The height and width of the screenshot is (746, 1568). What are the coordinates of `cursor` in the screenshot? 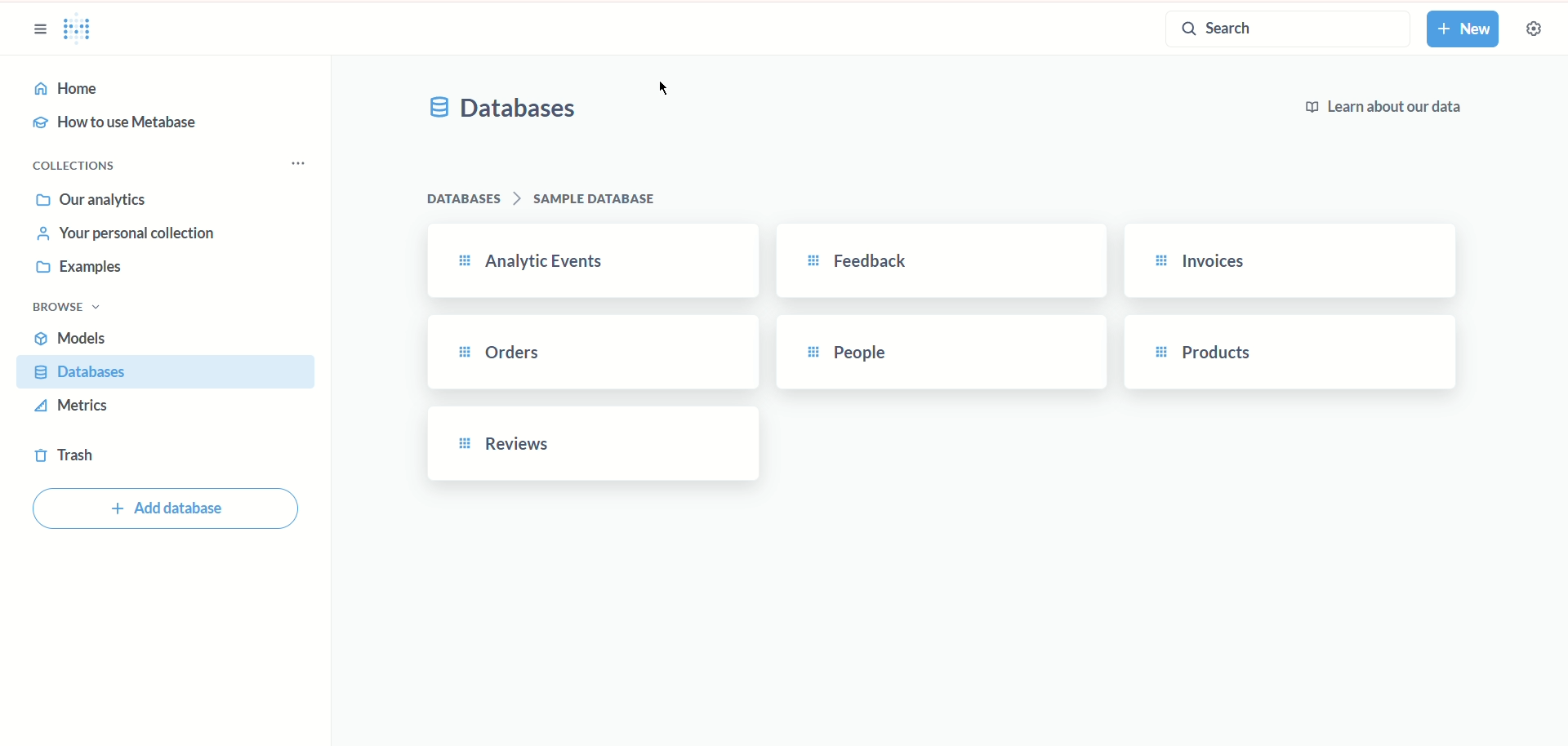 It's located at (663, 87).